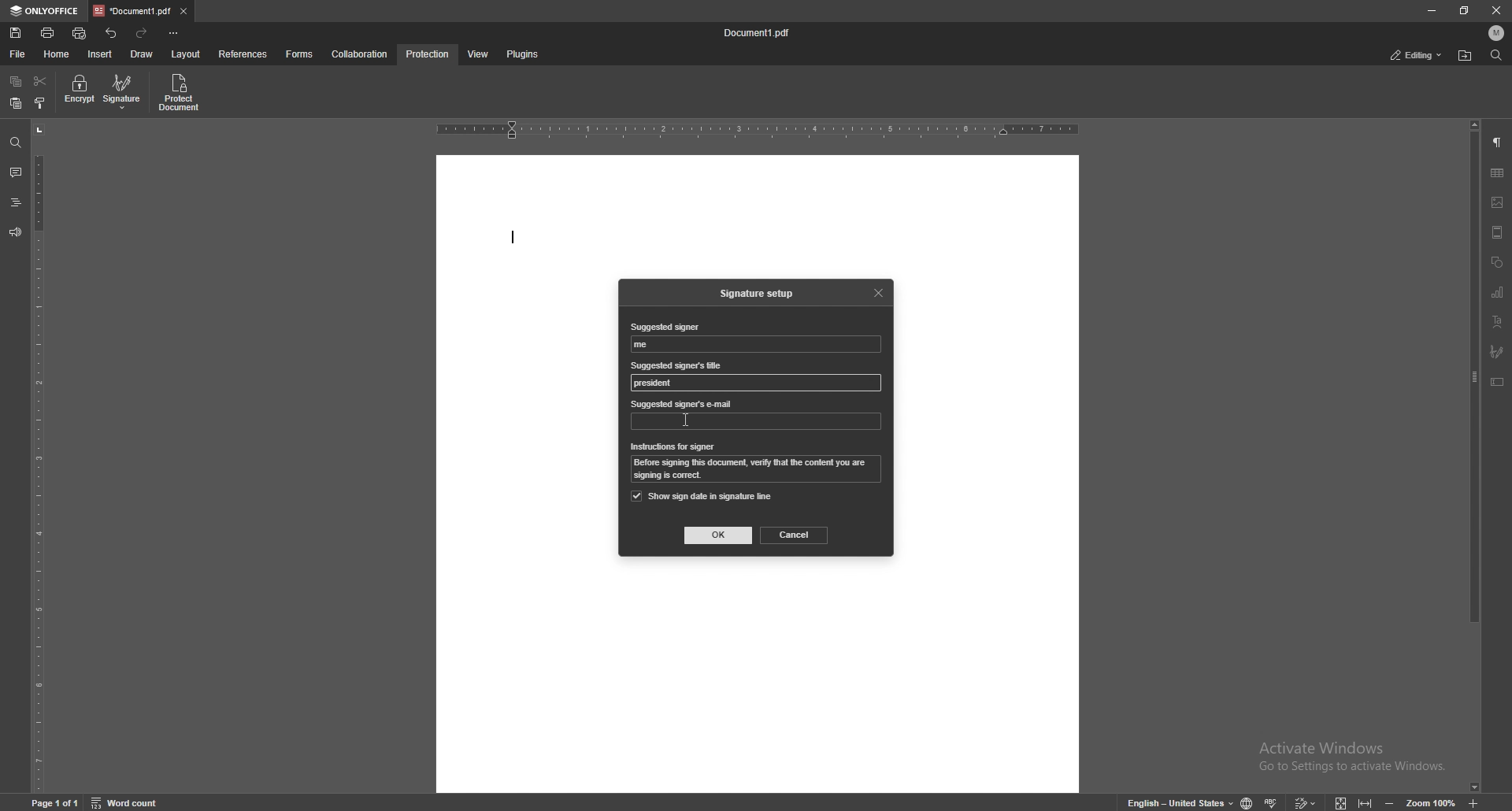  I want to click on redo, so click(143, 33).